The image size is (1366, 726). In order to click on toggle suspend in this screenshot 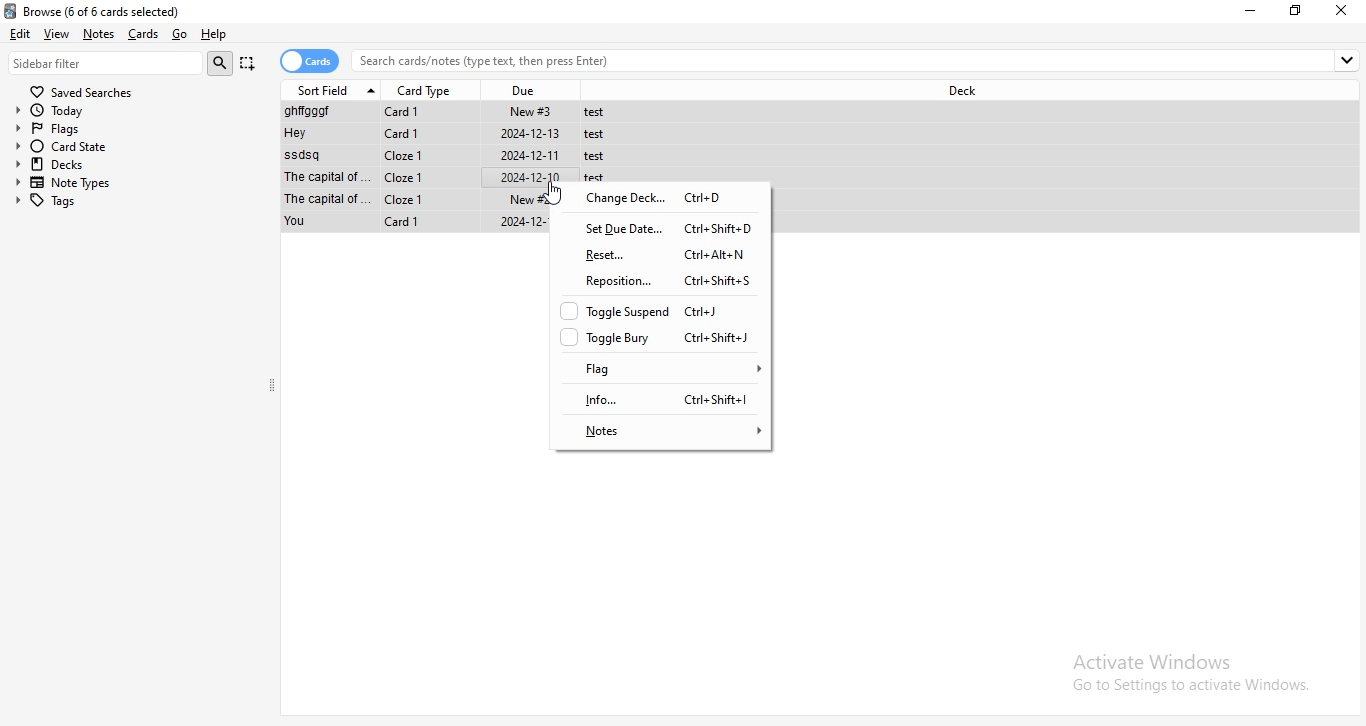, I will do `click(656, 311)`.